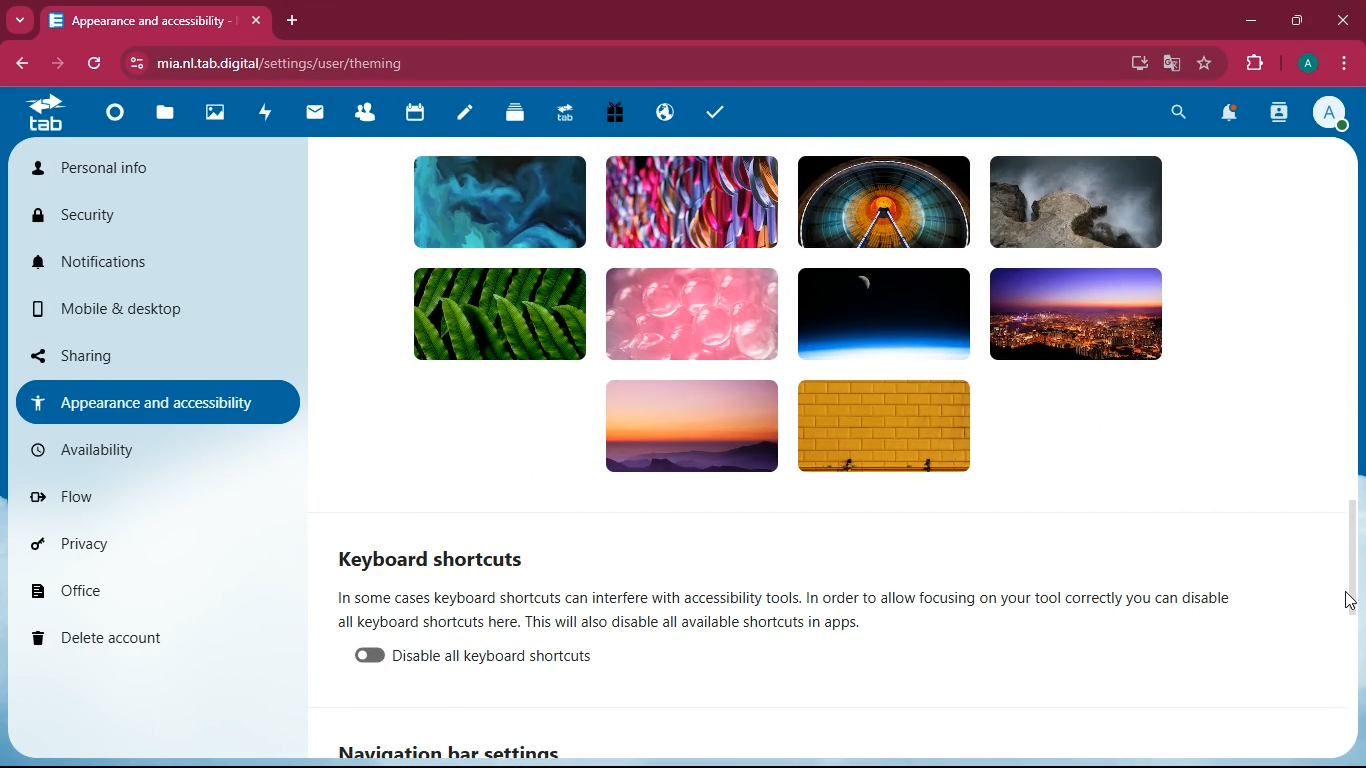 The height and width of the screenshot is (768, 1366). I want to click on availiability, so click(155, 454).